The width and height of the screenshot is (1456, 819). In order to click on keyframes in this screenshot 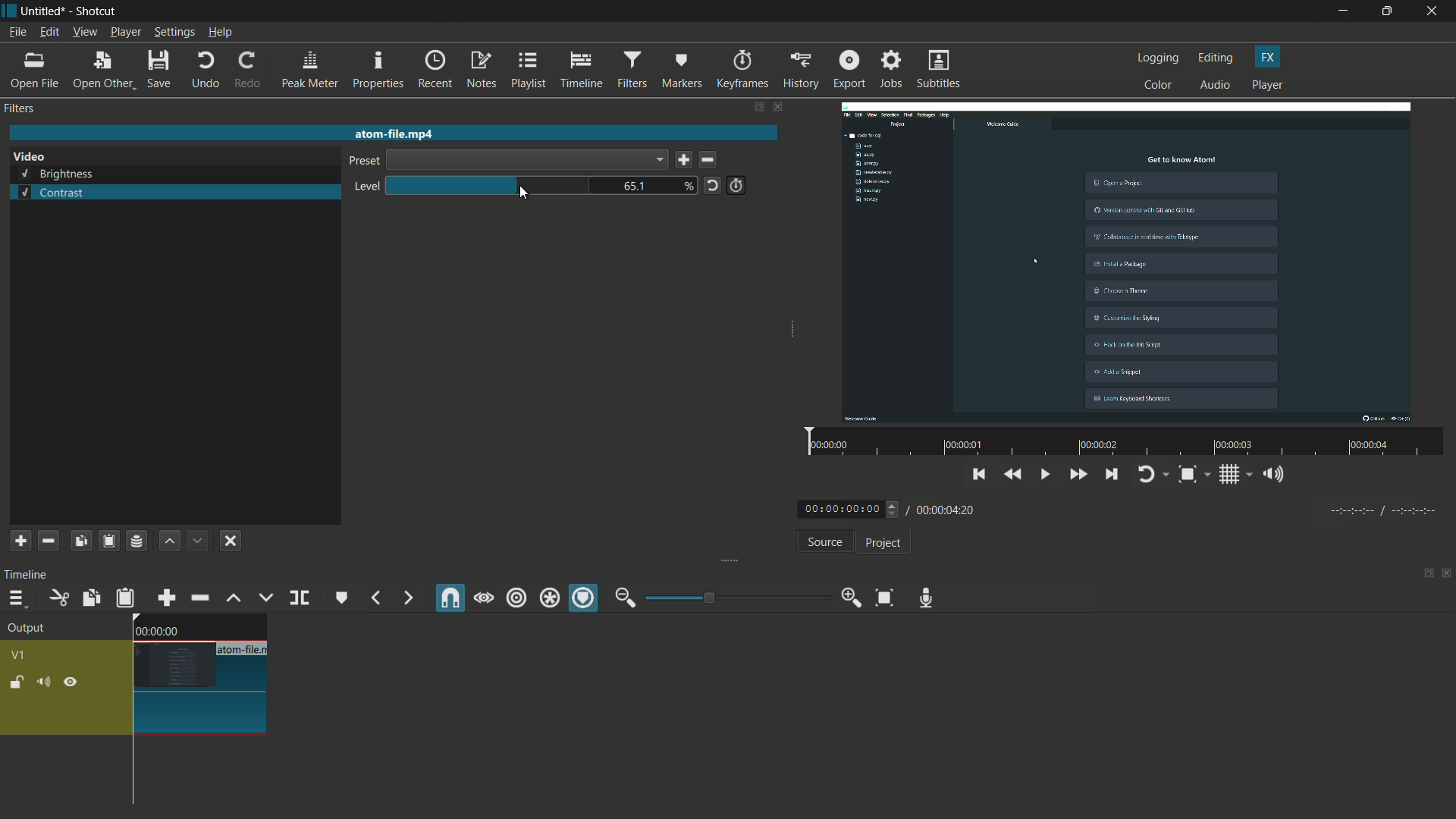, I will do `click(742, 70)`.